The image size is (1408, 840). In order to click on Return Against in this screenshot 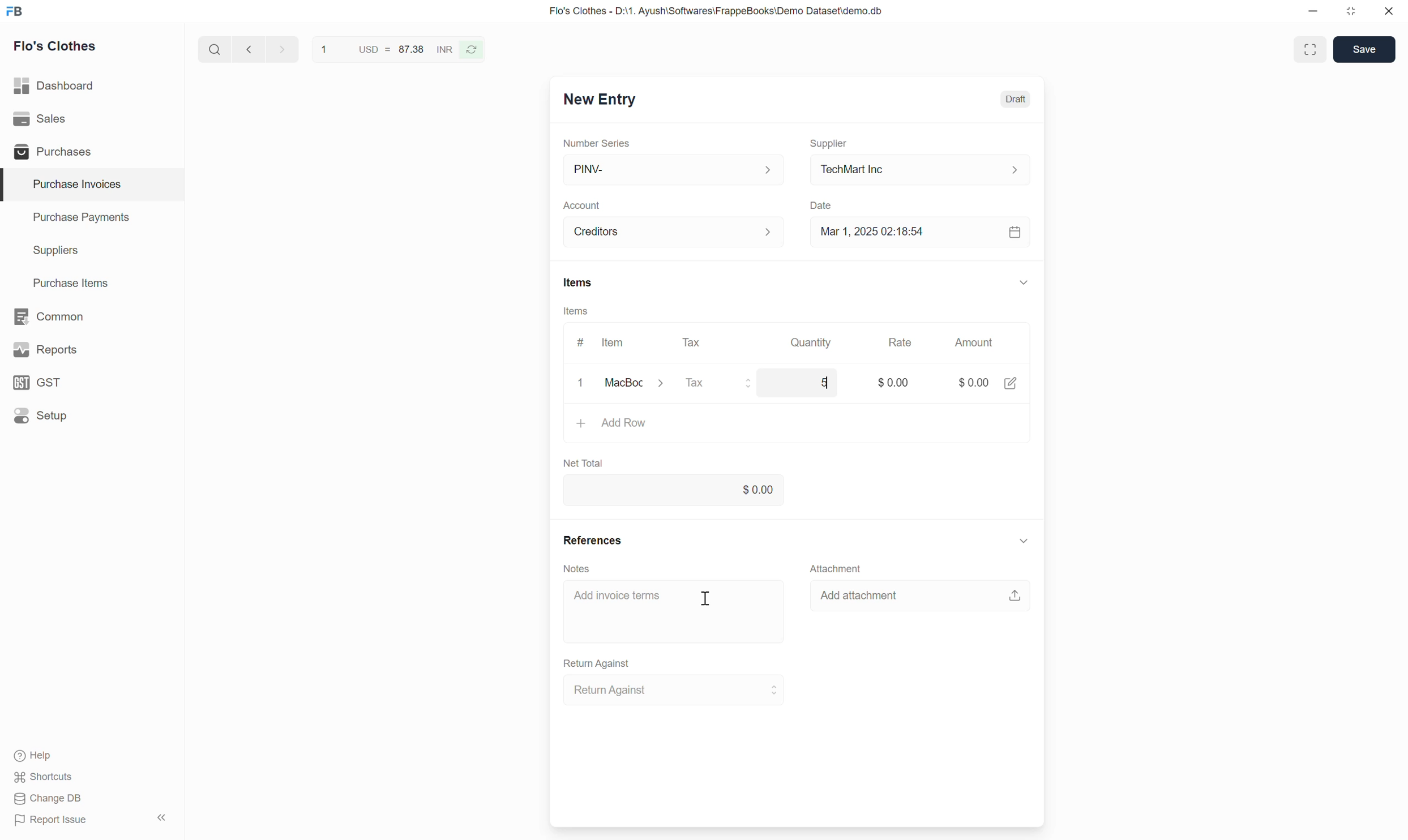, I will do `click(597, 664)`.